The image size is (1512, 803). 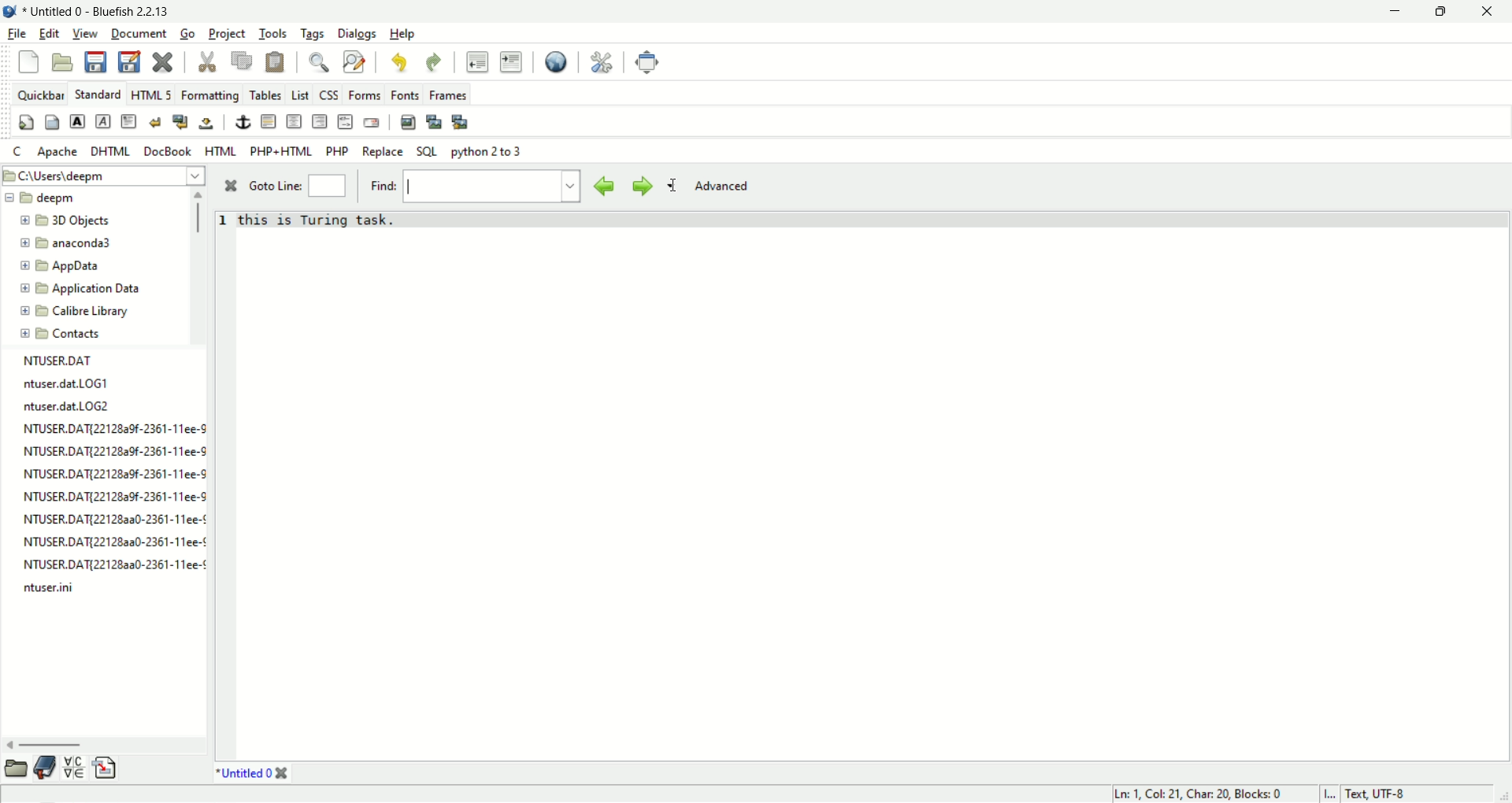 What do you see at coordinates (78, 121) in the screenshot?
I see `strong` at bounding box center [78, 121].